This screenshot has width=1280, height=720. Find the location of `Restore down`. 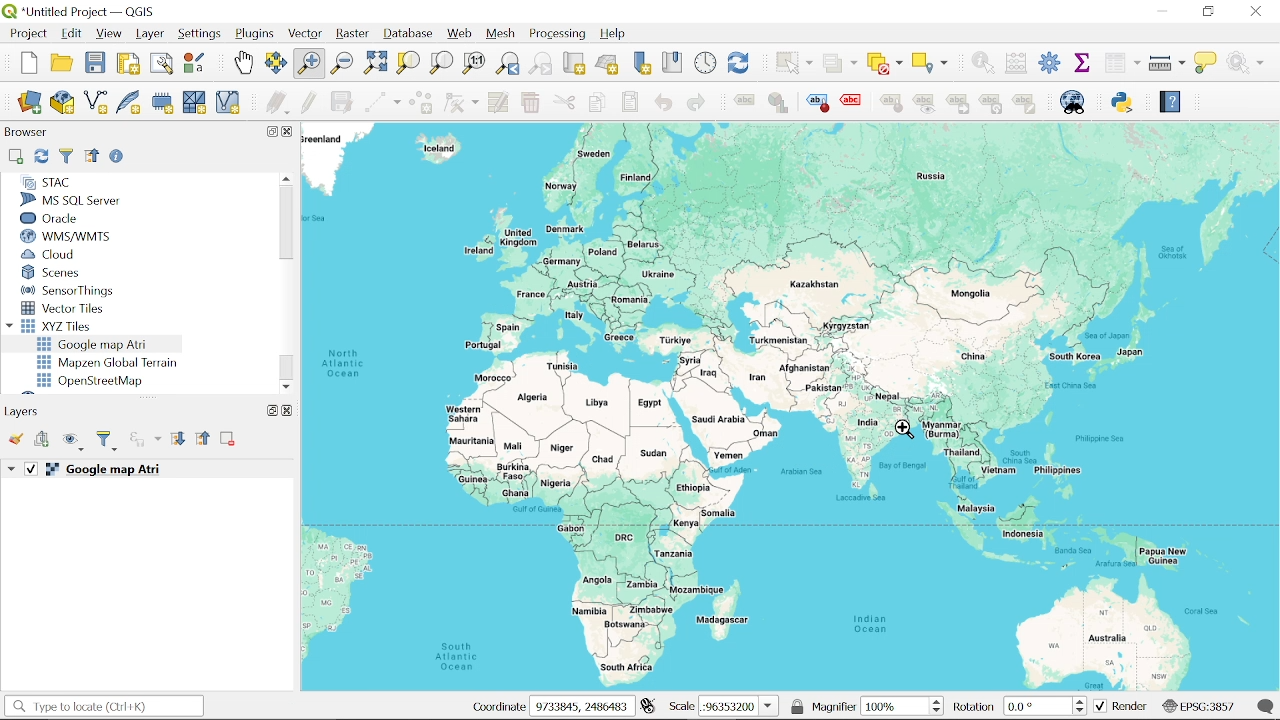

Restore down is located at coordinates (1208, 11).